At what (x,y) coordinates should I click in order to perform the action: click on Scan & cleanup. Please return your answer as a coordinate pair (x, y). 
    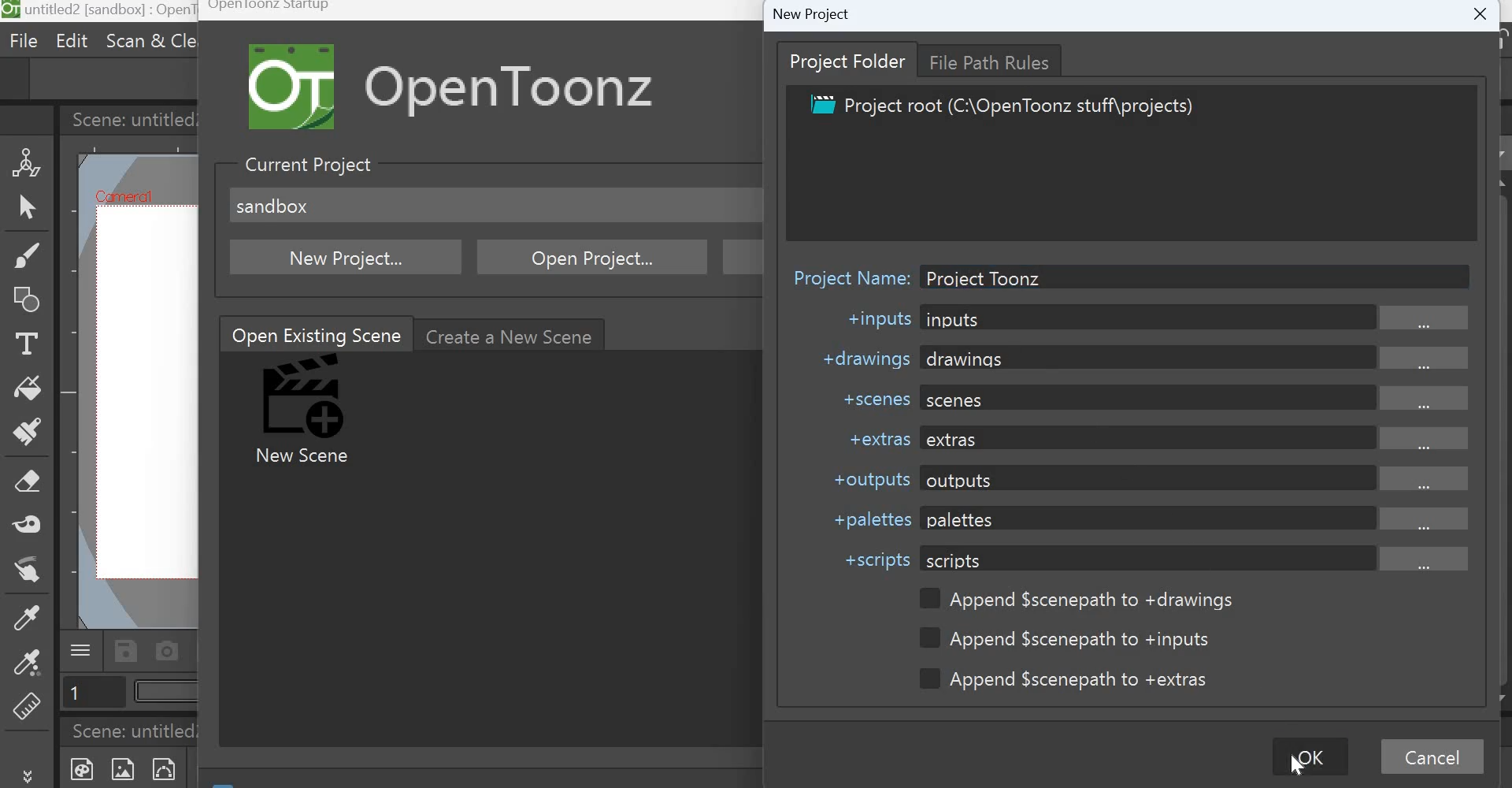
    Looking at the image, I should click on (149, 39).